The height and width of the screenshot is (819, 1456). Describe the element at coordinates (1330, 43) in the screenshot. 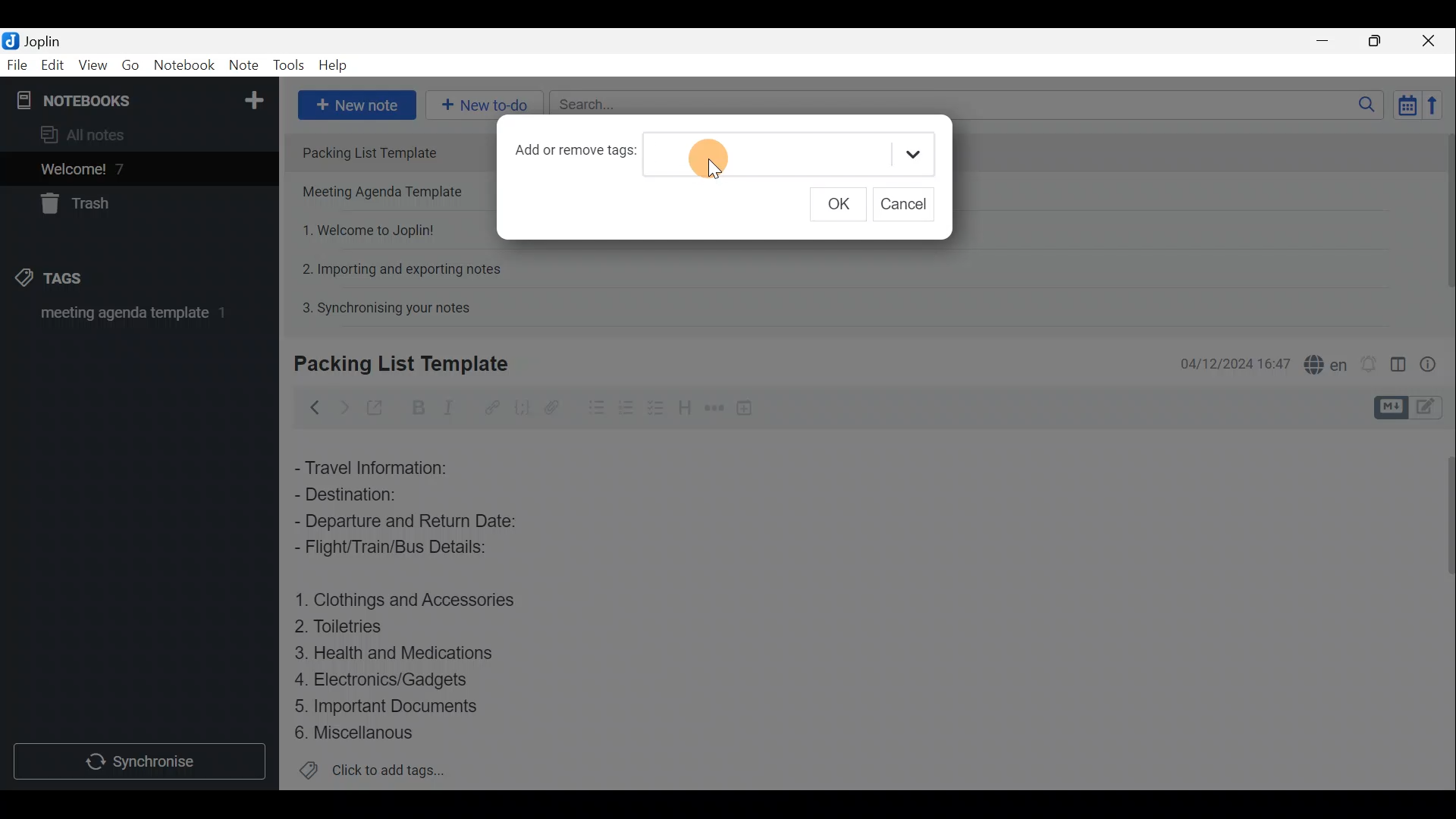

I see `Minimise` at that location.